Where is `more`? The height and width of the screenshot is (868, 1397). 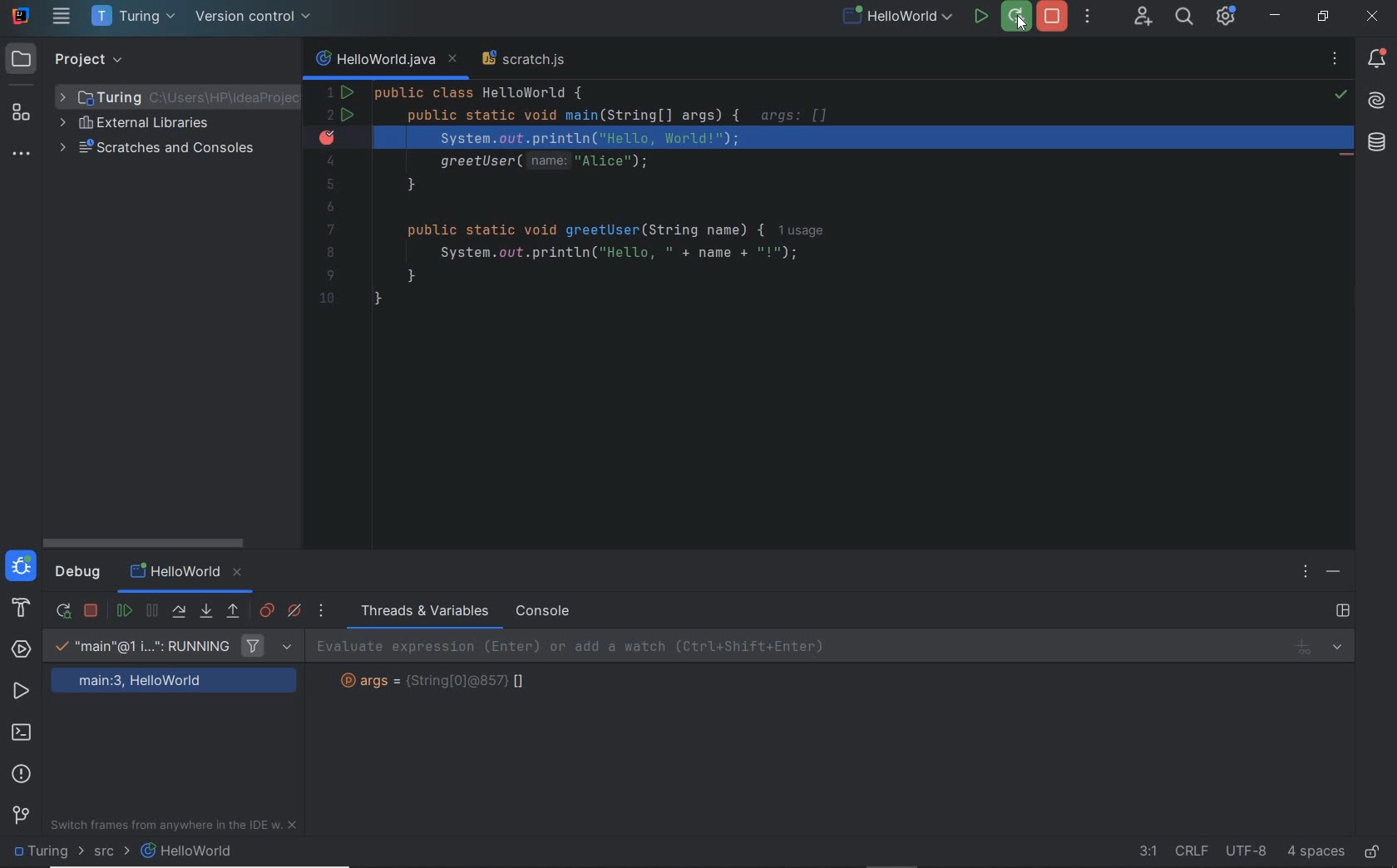 more is located at coordinates (323, 610).